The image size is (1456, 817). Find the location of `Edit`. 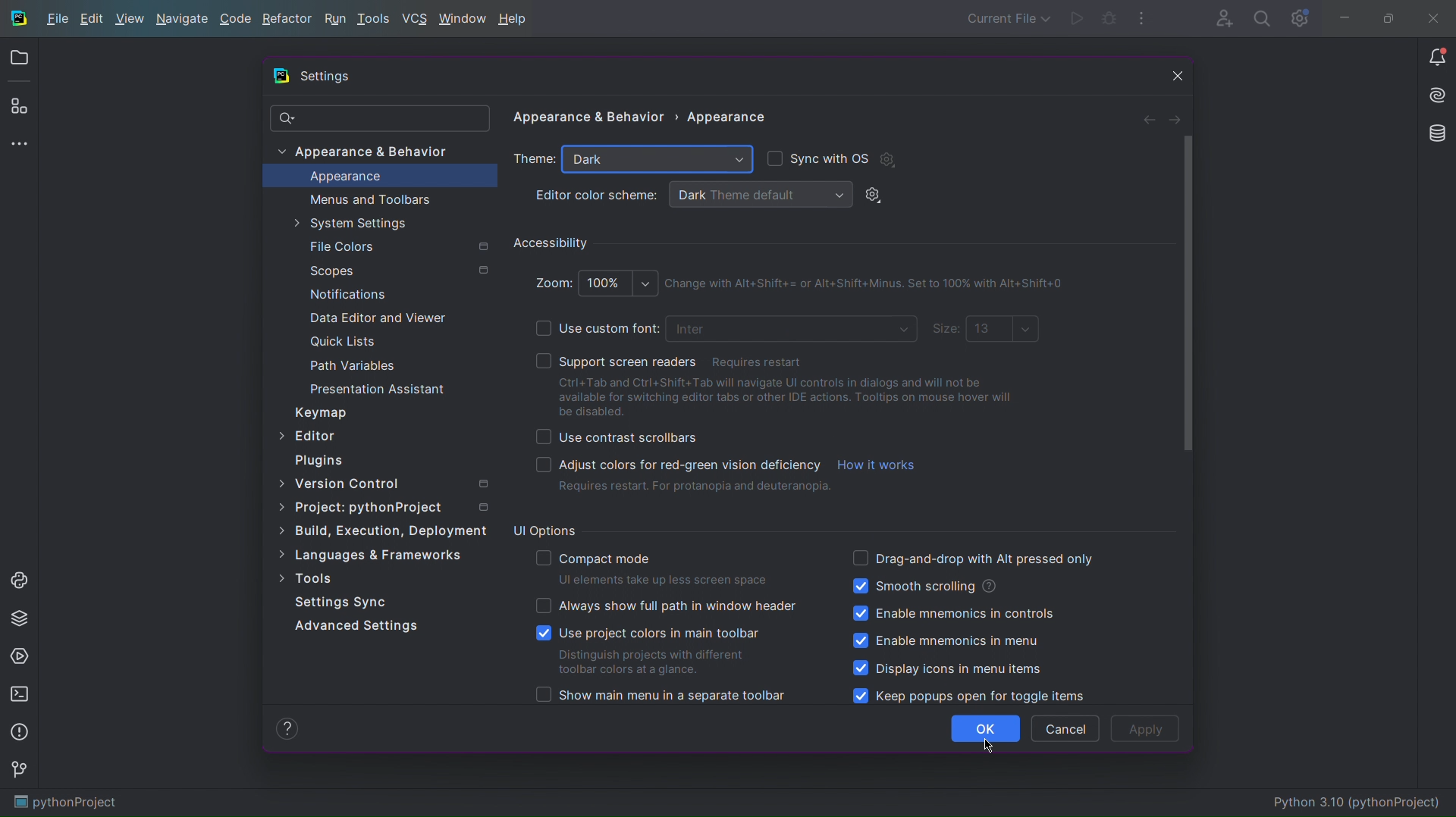

Edit is located at coordinates (93, 18).